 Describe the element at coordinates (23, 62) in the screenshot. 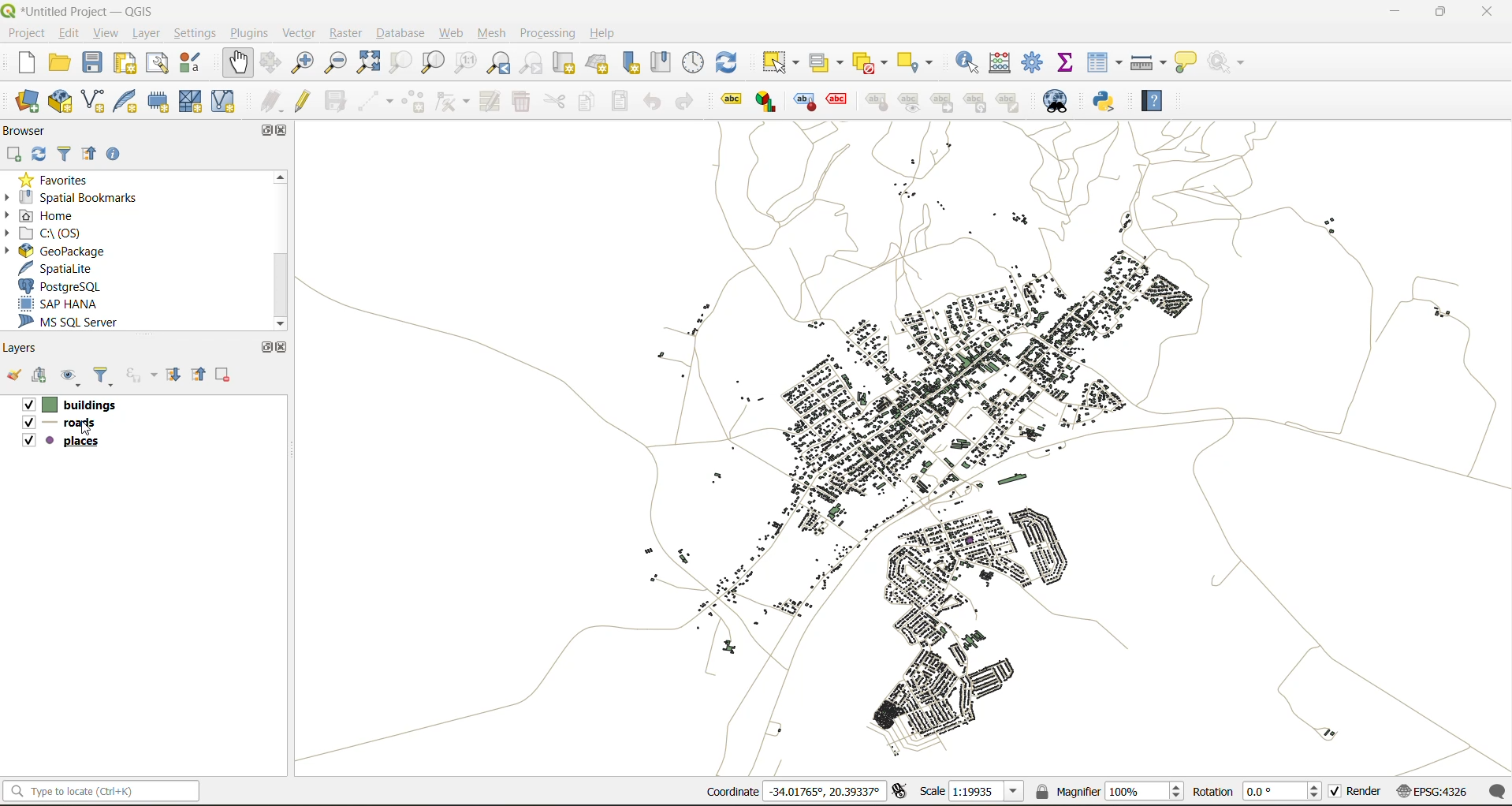

I see `new` at that location.